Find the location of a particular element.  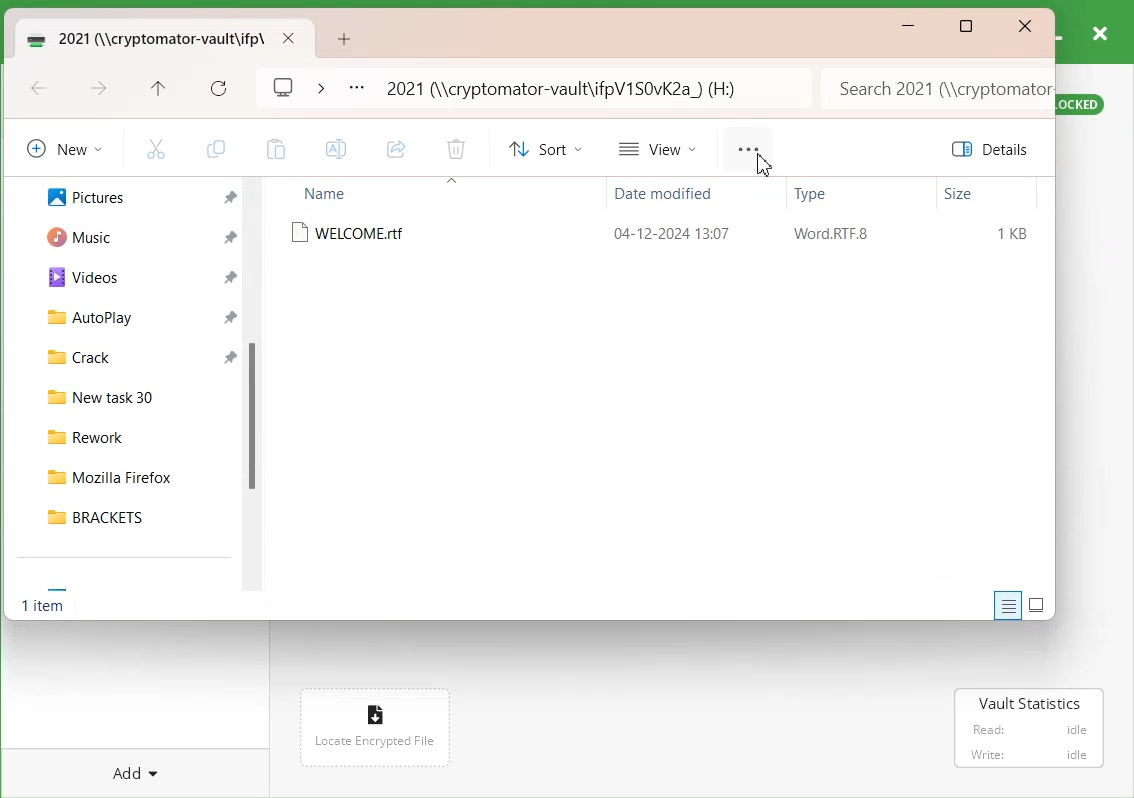

Music is located at coordinates (77, 235).